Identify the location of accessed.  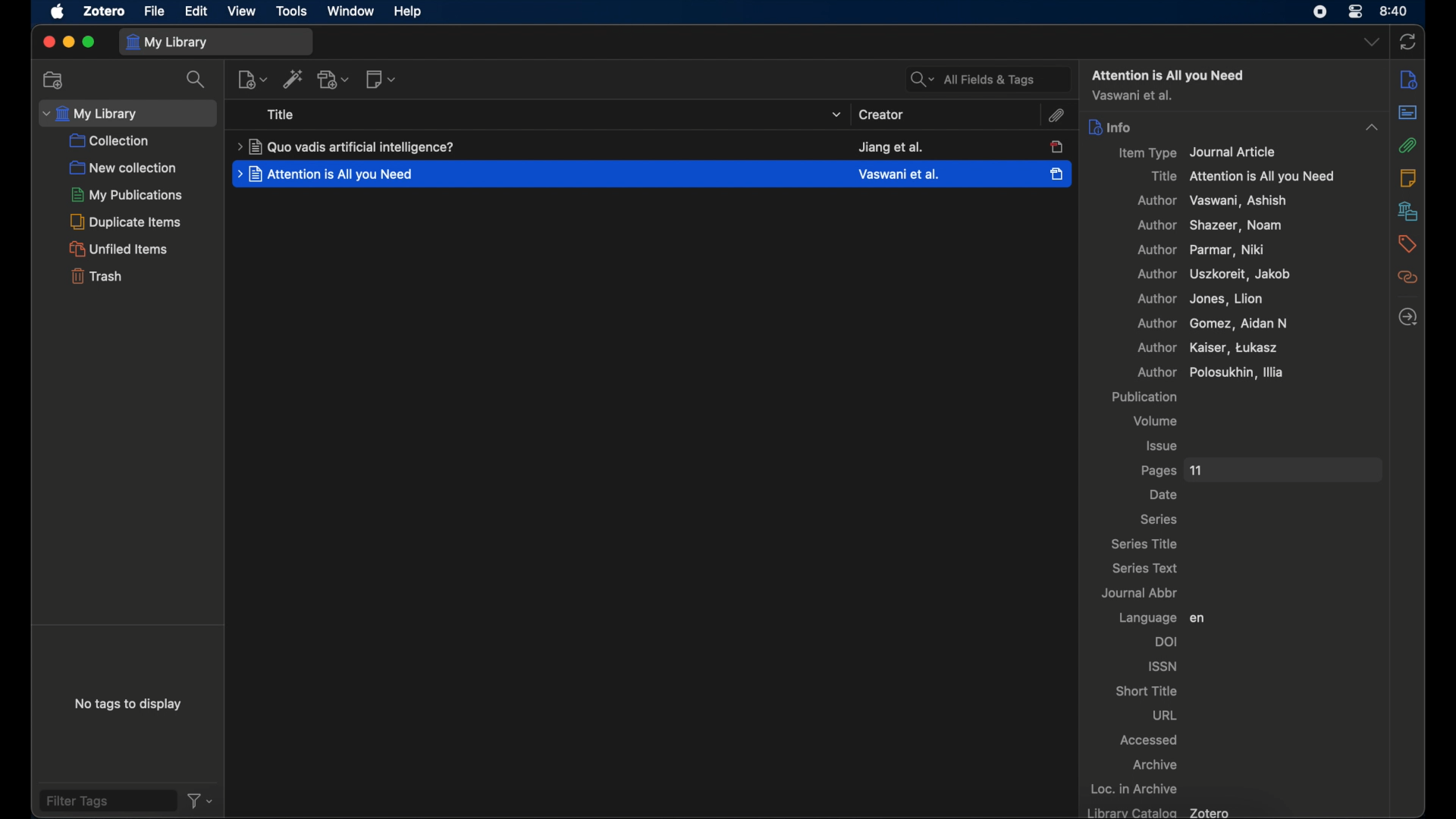
(1150, 741).